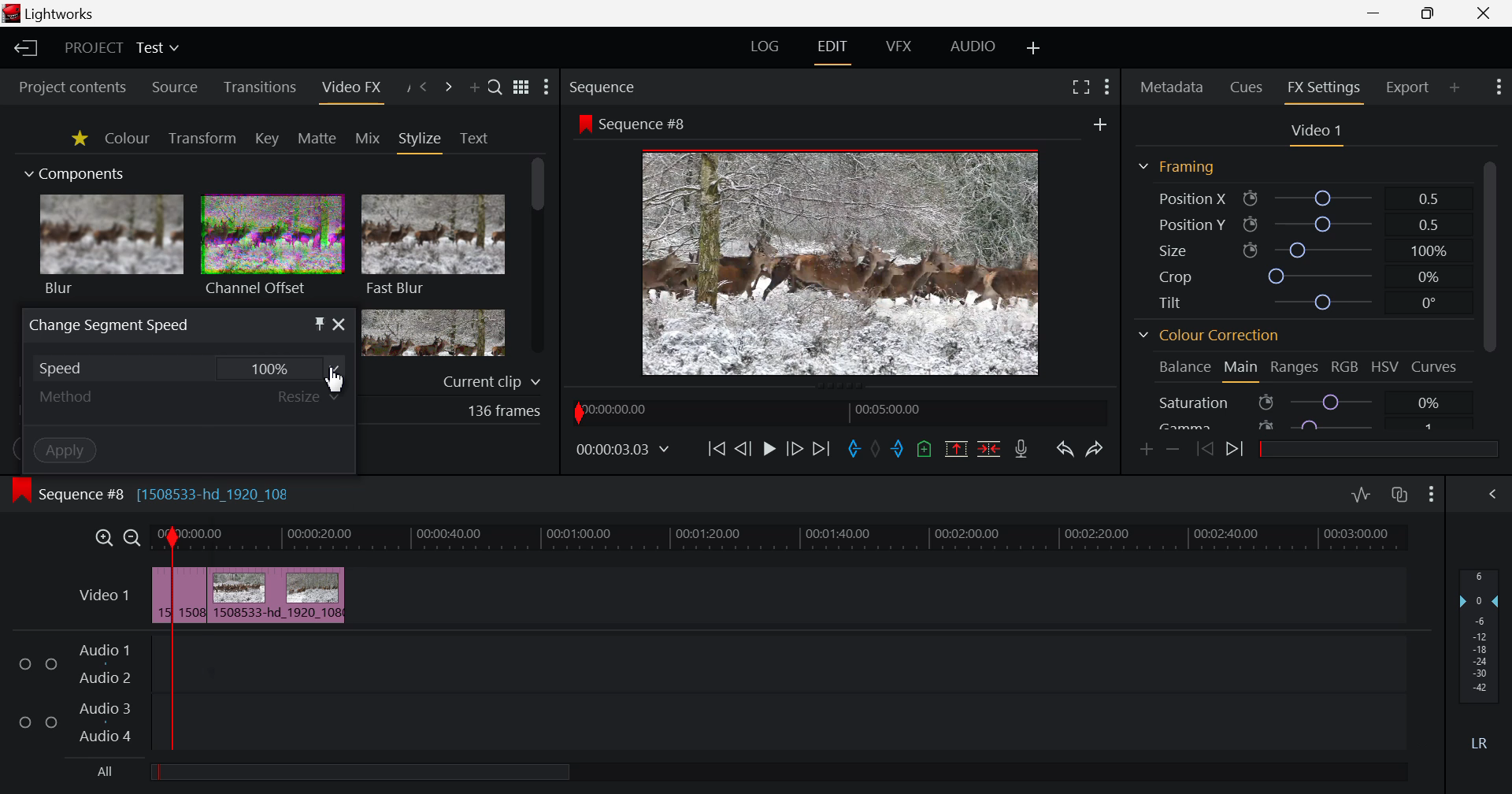 The width and height of the screenshot is (1512, 794). What do you see at coordinates (434, 247) in the screenshot?
I see `Fast Blur` at bounding box center [434, 247].